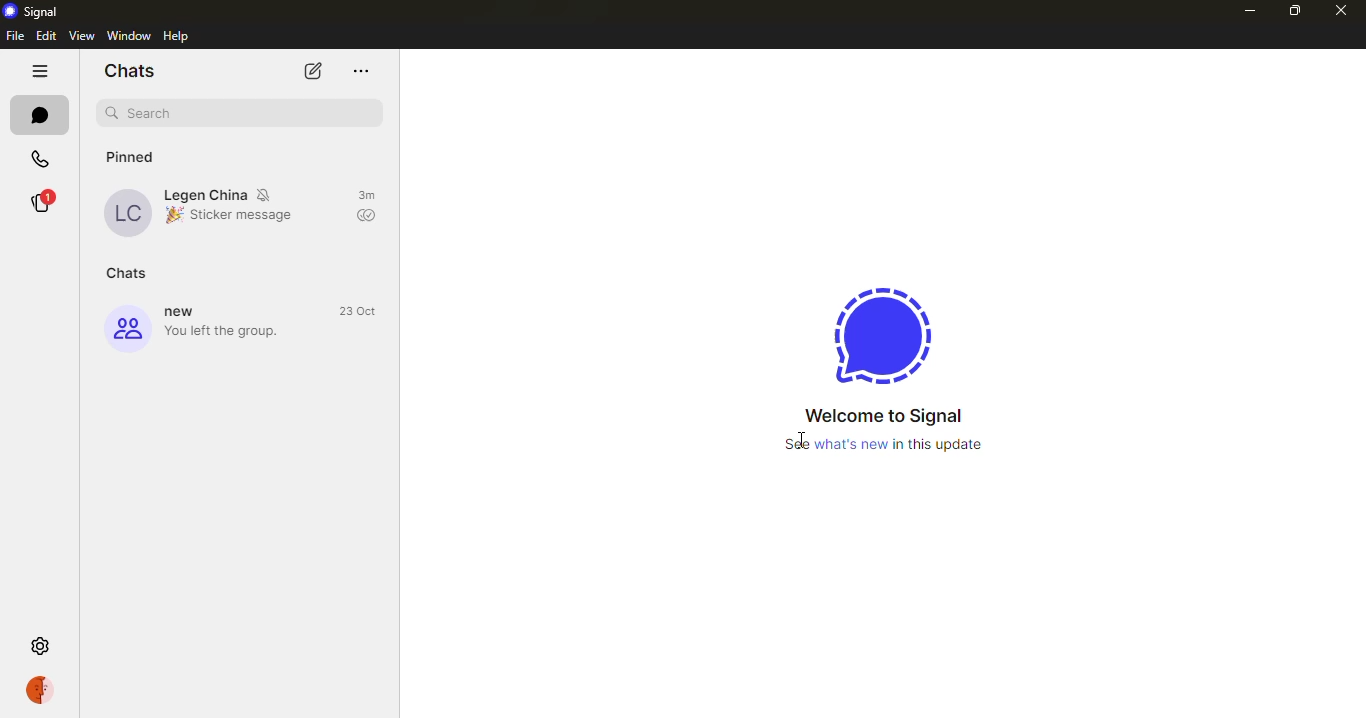 The image size is (1366, 718). Describe the element at coordinates (124, 213) in the screenshot. I see `profile` at that location.